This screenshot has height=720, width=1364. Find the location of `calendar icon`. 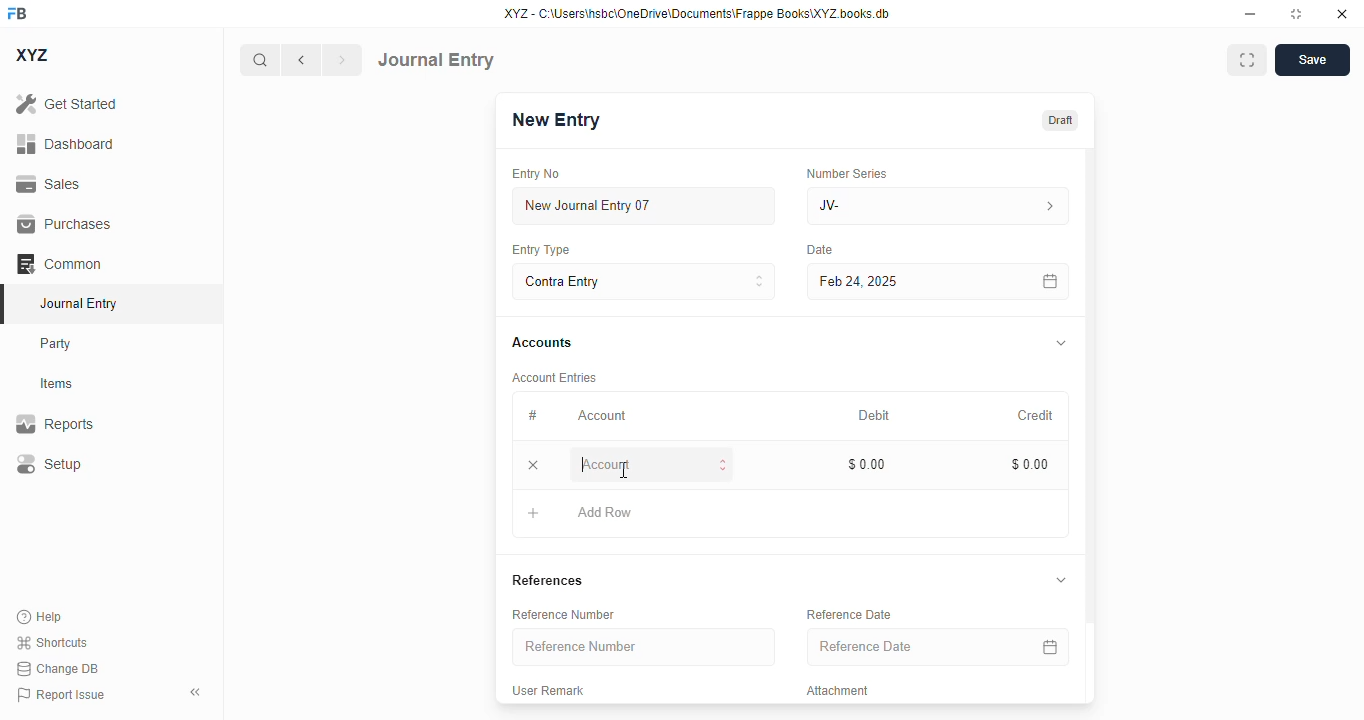

calendar icon is located at coordinates (1051, 281).